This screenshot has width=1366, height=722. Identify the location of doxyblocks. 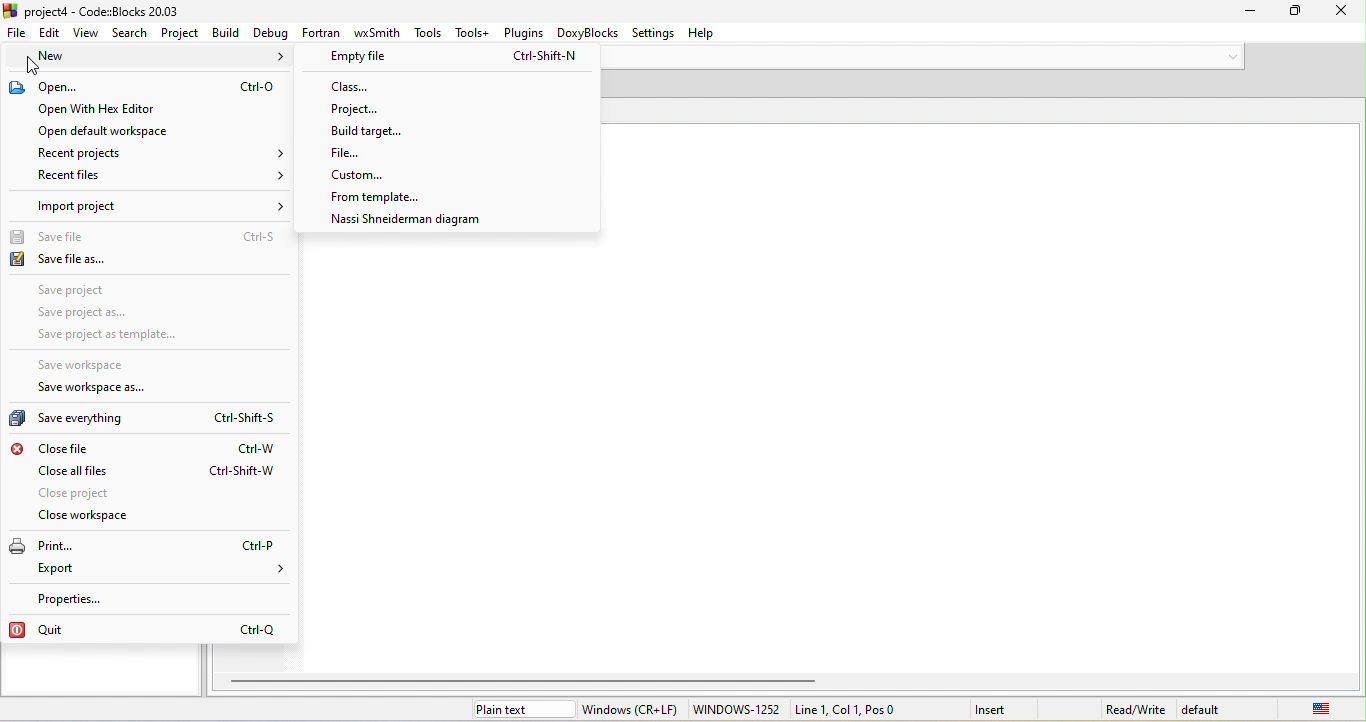
(588, 31).